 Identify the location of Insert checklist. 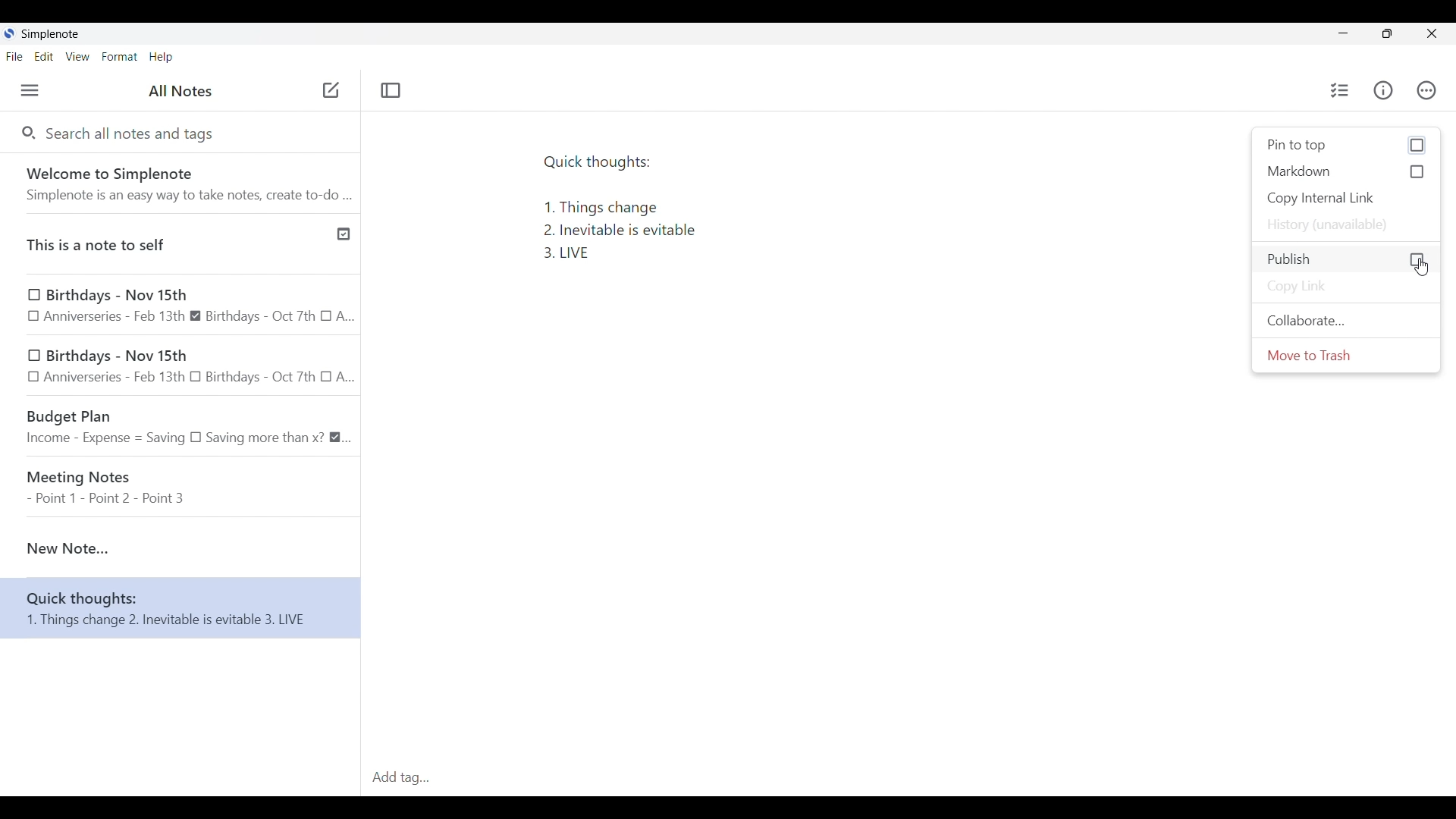
(1340, 90).